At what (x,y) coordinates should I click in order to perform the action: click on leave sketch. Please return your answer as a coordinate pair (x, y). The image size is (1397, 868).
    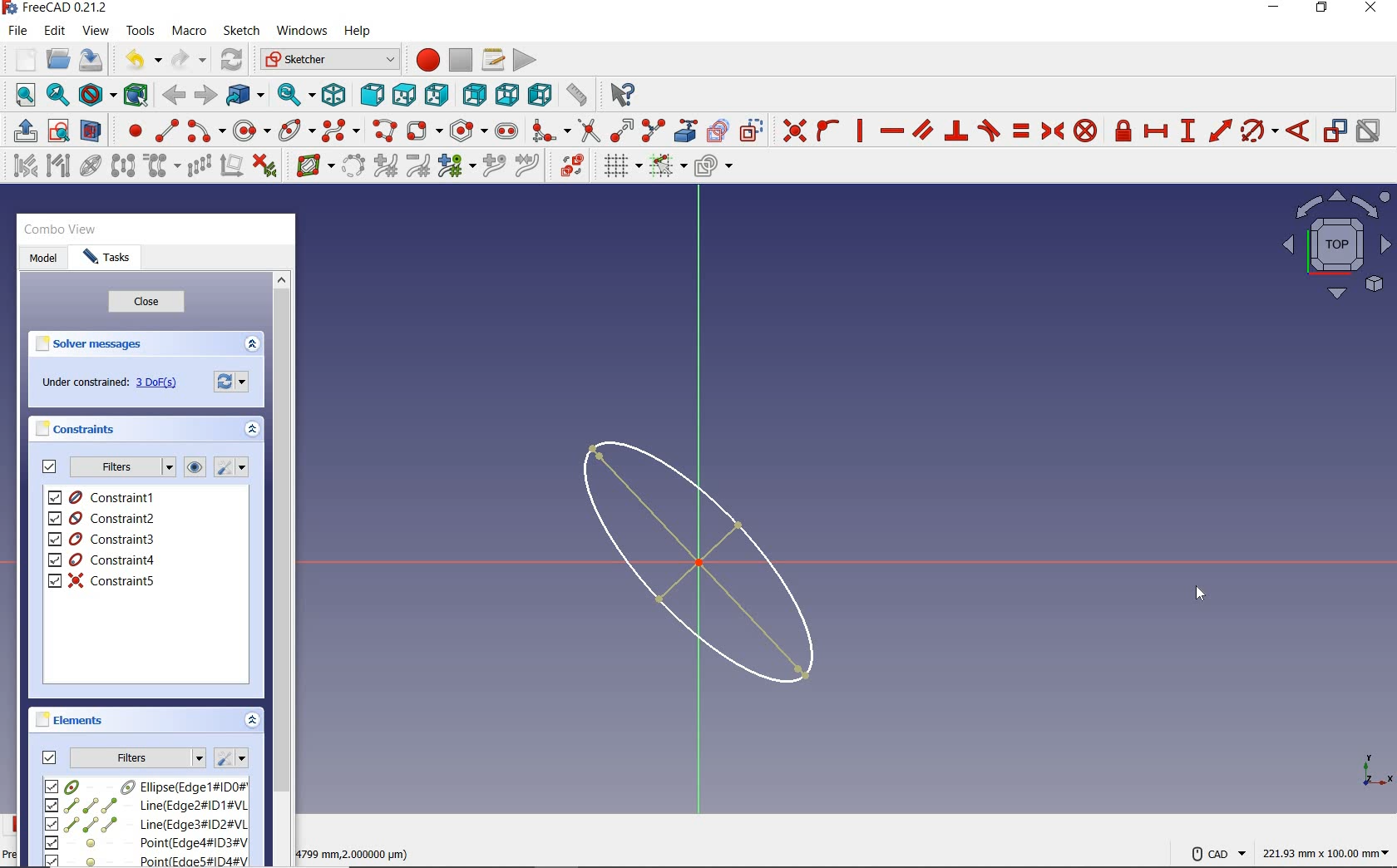
    Looking at the image, I should click on (22, 131).